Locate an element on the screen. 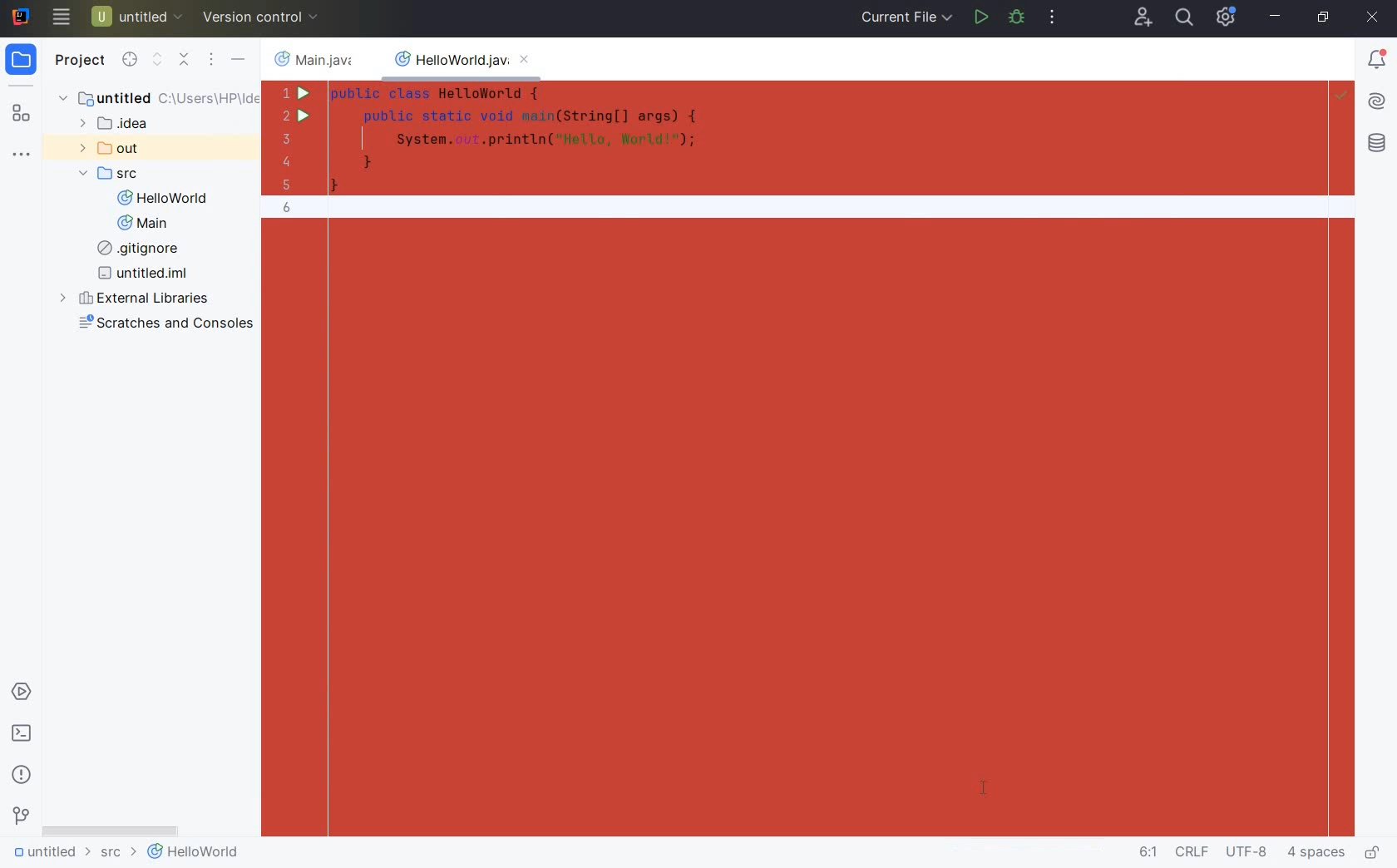 The height and width of the screenshot is (868, 1397). external libraries is located at coordinates (140, 298).